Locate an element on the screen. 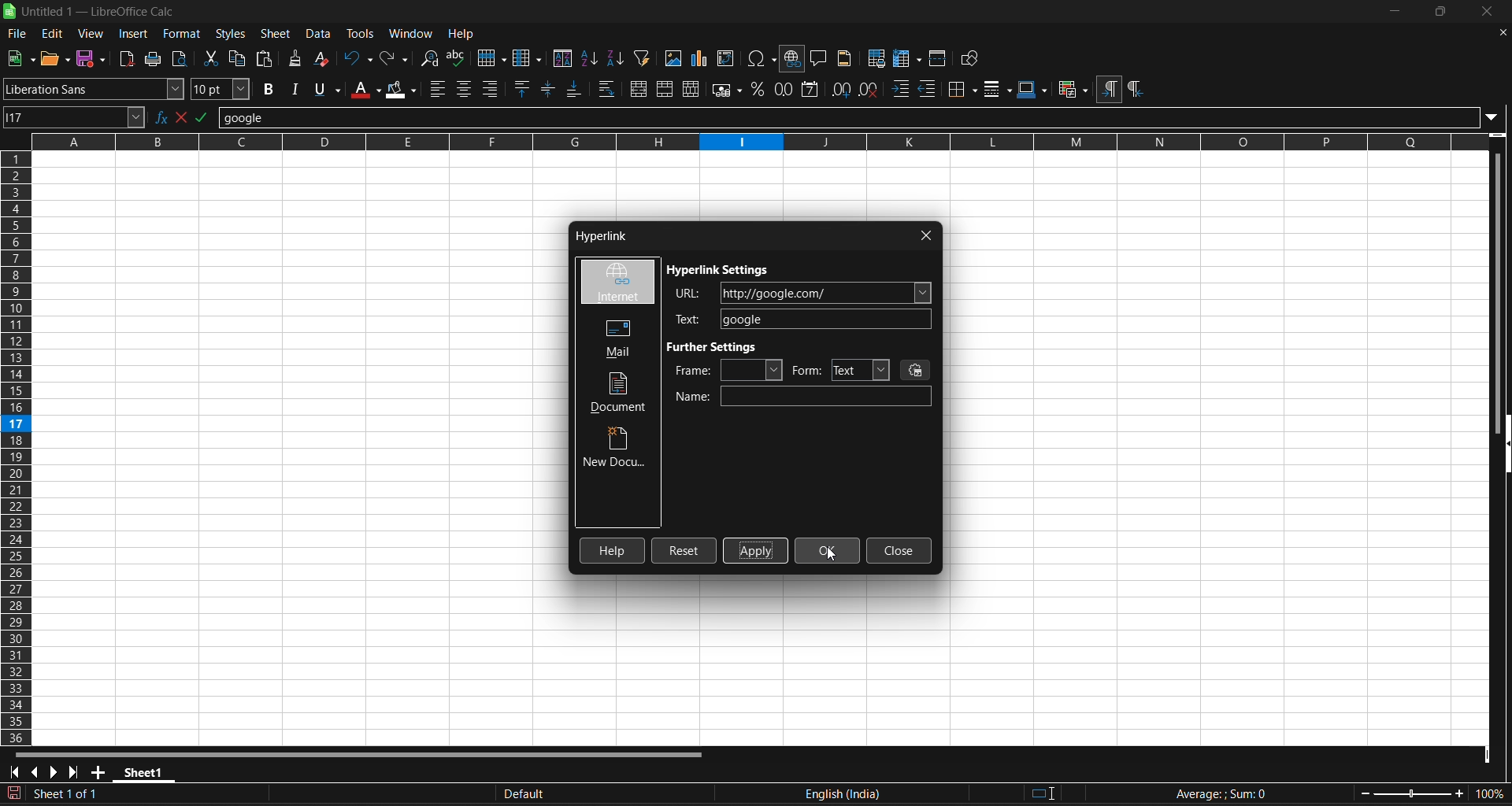 The height and width of the screenshot is (806, 1512). insert hyperlink is located at coordinates (793, 59).